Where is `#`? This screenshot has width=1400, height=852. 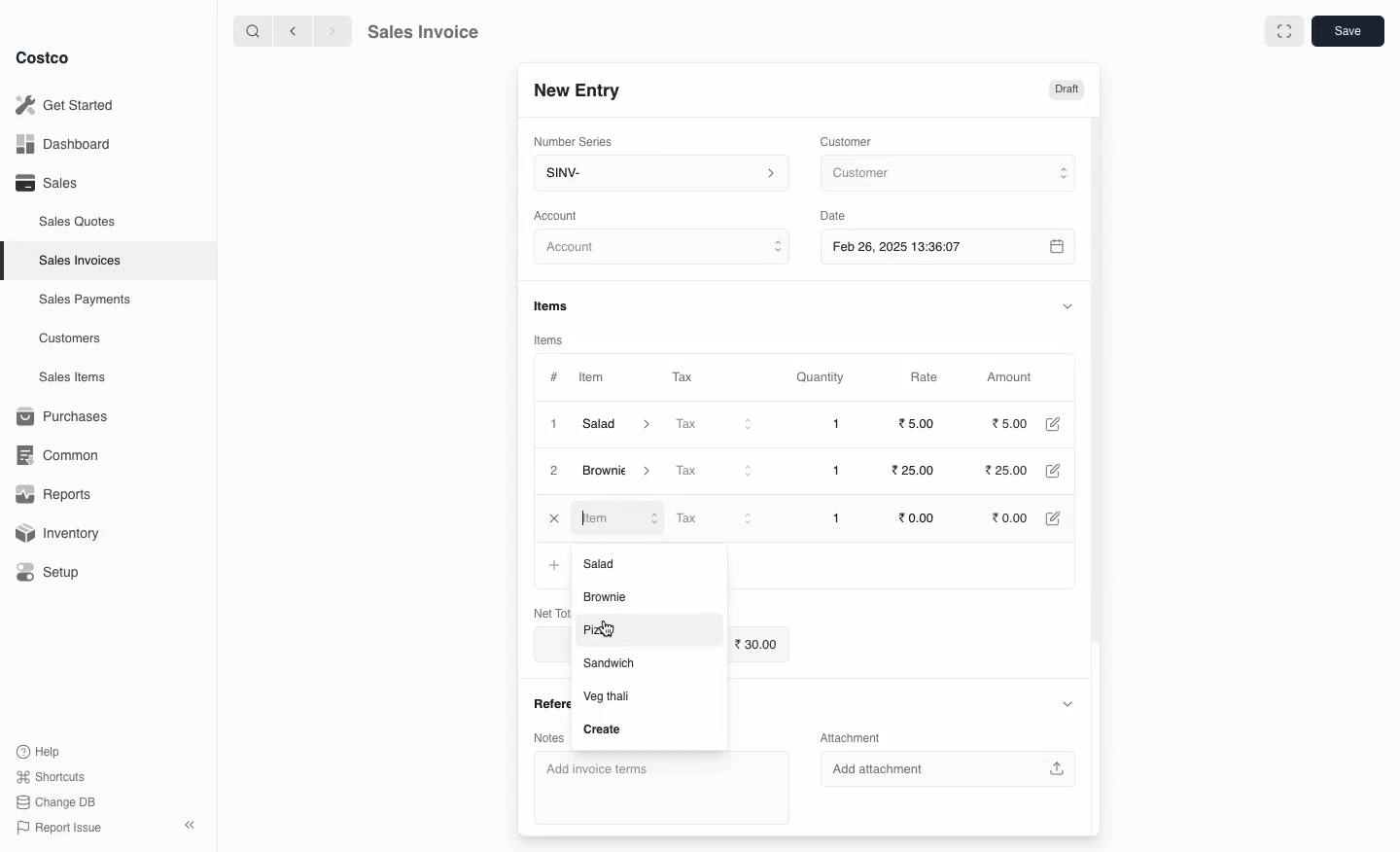 # is located at coordinates (554, 375).